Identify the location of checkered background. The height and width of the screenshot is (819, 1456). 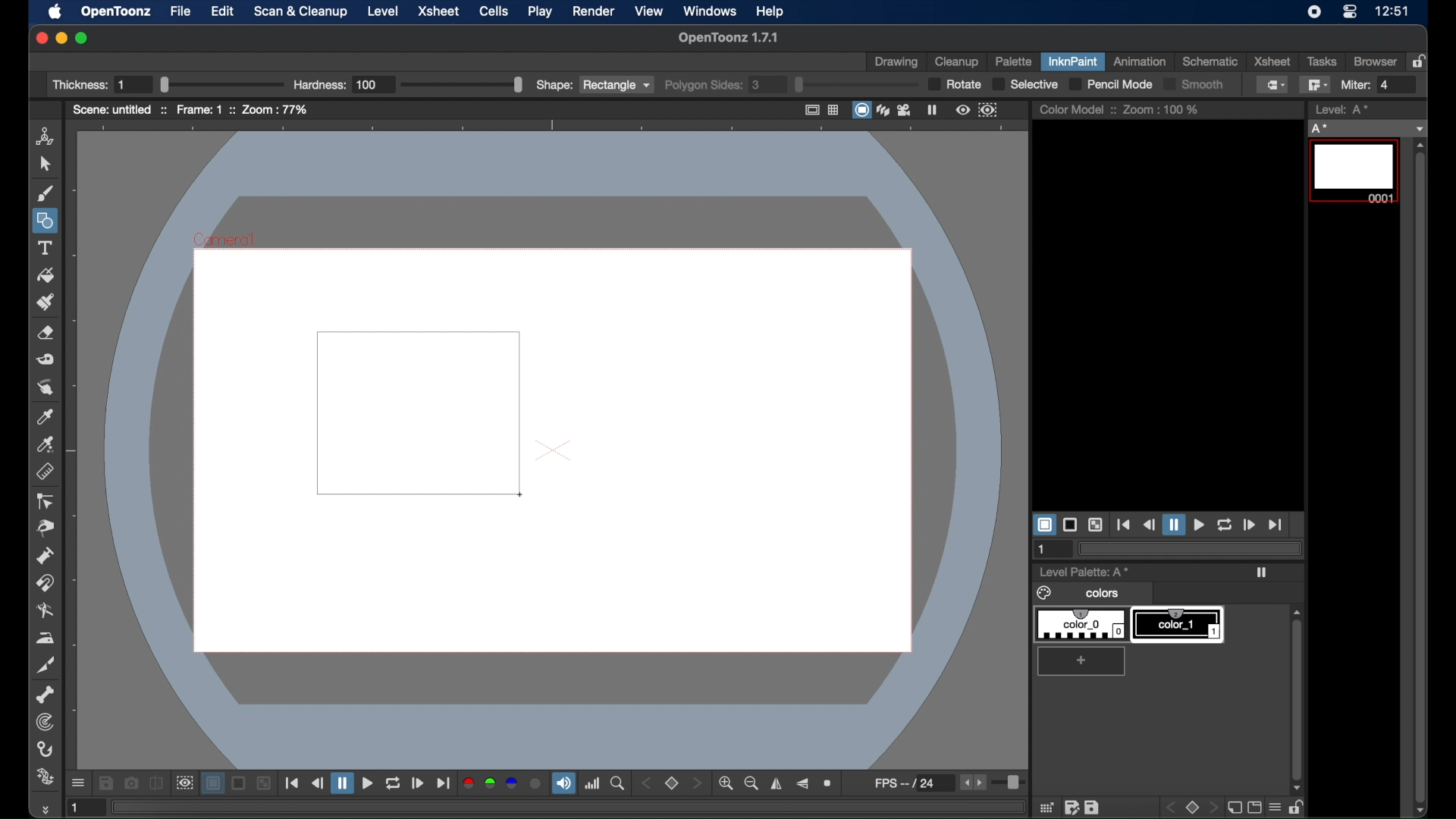
(263, 783).